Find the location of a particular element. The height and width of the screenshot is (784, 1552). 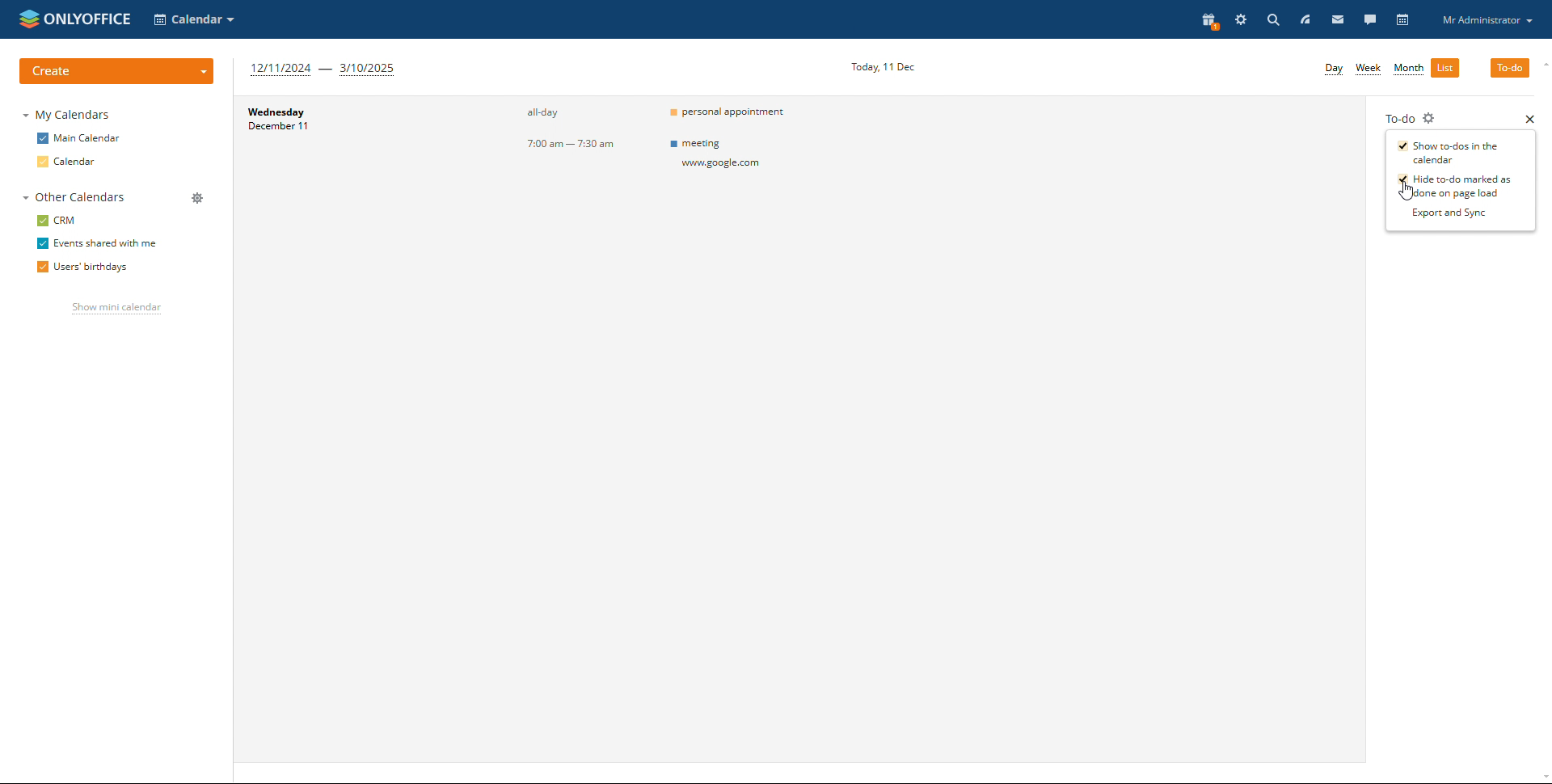

to-do is located at coordinates (1398, 117).